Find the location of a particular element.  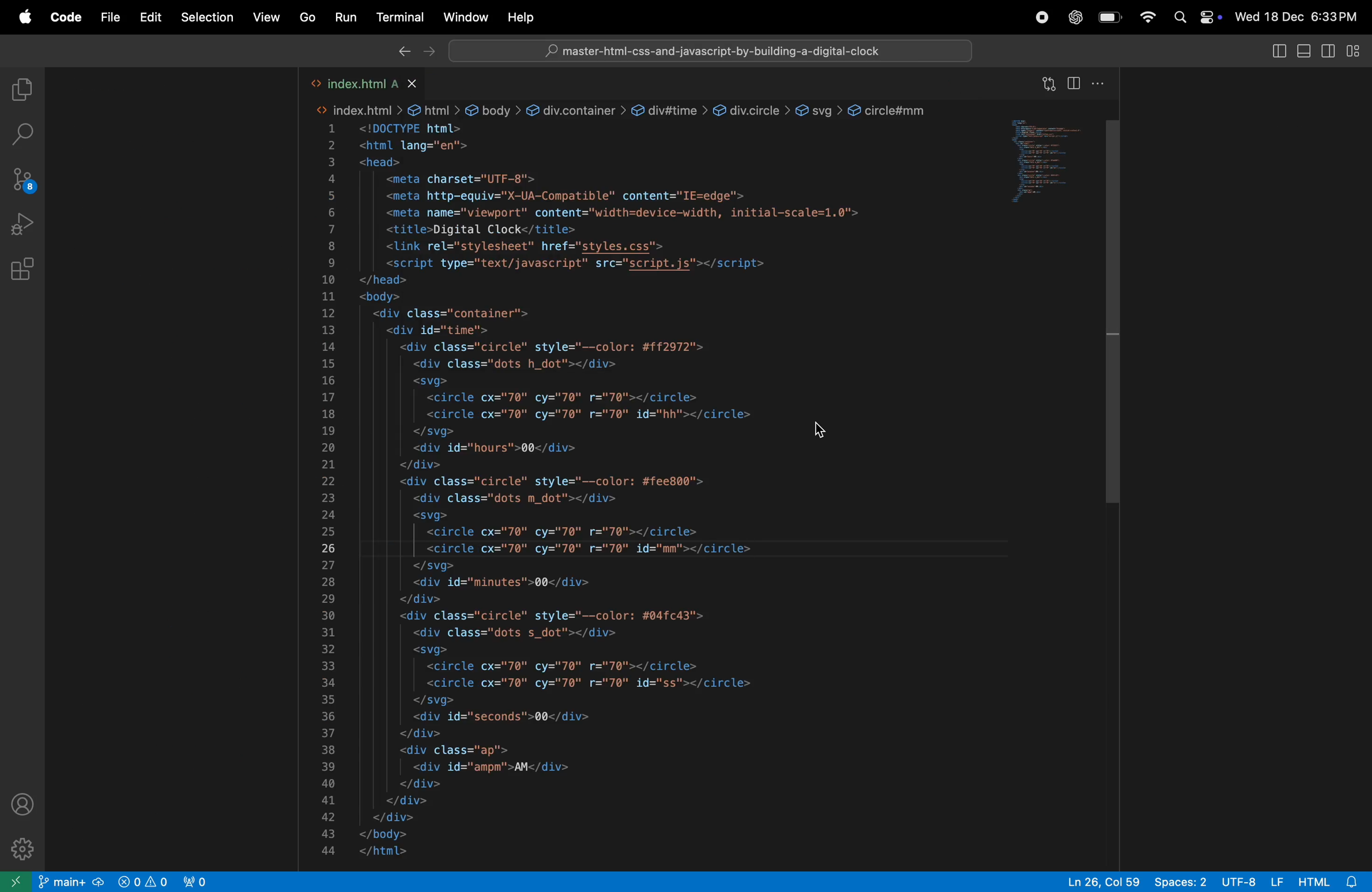

<!DOCTYPE html>
<html lang="en">
<head>
<meta charset="UTF-8">
<meta http-equiv="X-UA-Compatible" content="IE=edge'>
<meta name="viewport" content="width=device-width, initial-scale=1.0">
<title>Digital Clock</title>
<link rel="stylesheet" href="styles.css">
<script type="text/javascript" src="script.js"></script>
</head>
<body>
<div class="container">
<div id="time">
<div class="circle" style="--color: #ff2972">
<div class="dots h_dot"></div>
<svg>
<circle cx="70" cy="70" r="70"></circle>
<circle cx="70" cy="70" r="70" id="hh"></circle>
</svg>
<div id="hours">00</div>
</div>
<div class="circle" style="--color: #fee800">
<div class="dots m_dot"></div>
<svg>
<circle cx="70" cy="70" r="70"></circle>
<circle cx="70" cy="70" r="70" id="mm"></circles]
</svg>
<div id="minutes">00</div>
</div>
<div class="circle" style="--color: #04fc43">
<div class="dots s_dot"></div>
<svg>
<circle cx="70" cy="70" r="70"></circle>
<circle cx="70" cy="70" r="70" id="ss"></circle>
</svg>
<div id="seconds">00</div>
</div>
<div class="ap">
<div id="ampm">AM</div>
</div>
</div>
</div>
</body>
</html> is located at coordinates (615, 494).